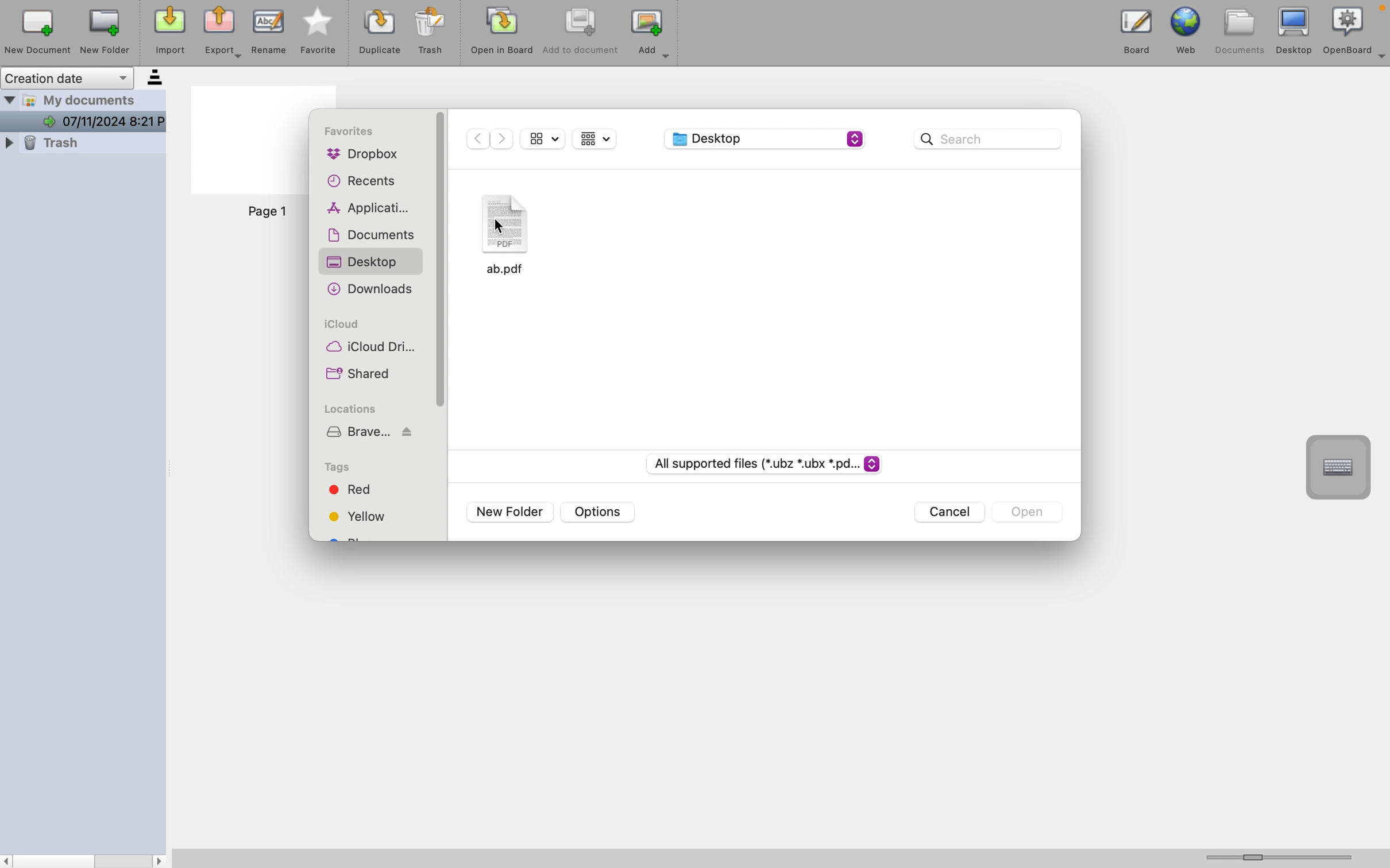 The height and width of the screenshot is (868, 1390). What do you see at coordinates (370, 234) in the screenshot?
I see `documents` at bounding box center [370, 234].